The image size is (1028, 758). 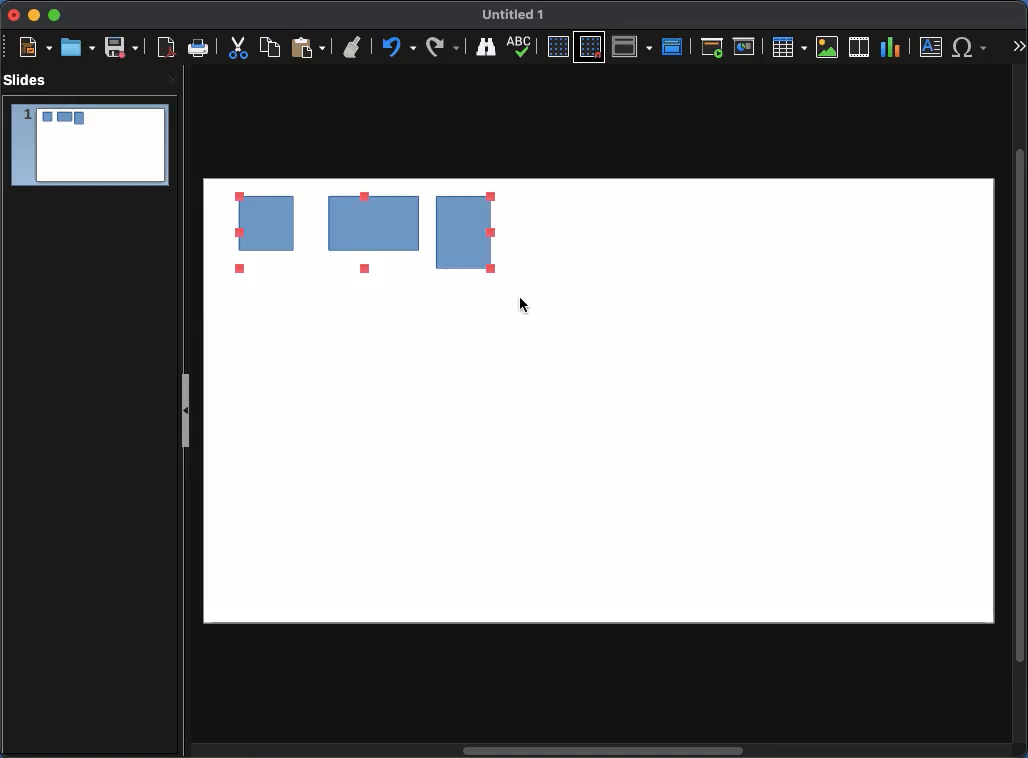 What do you see at coordinates (931, 48) in the screenshot?
I see `Textbox` at bounding box center [931, 48].